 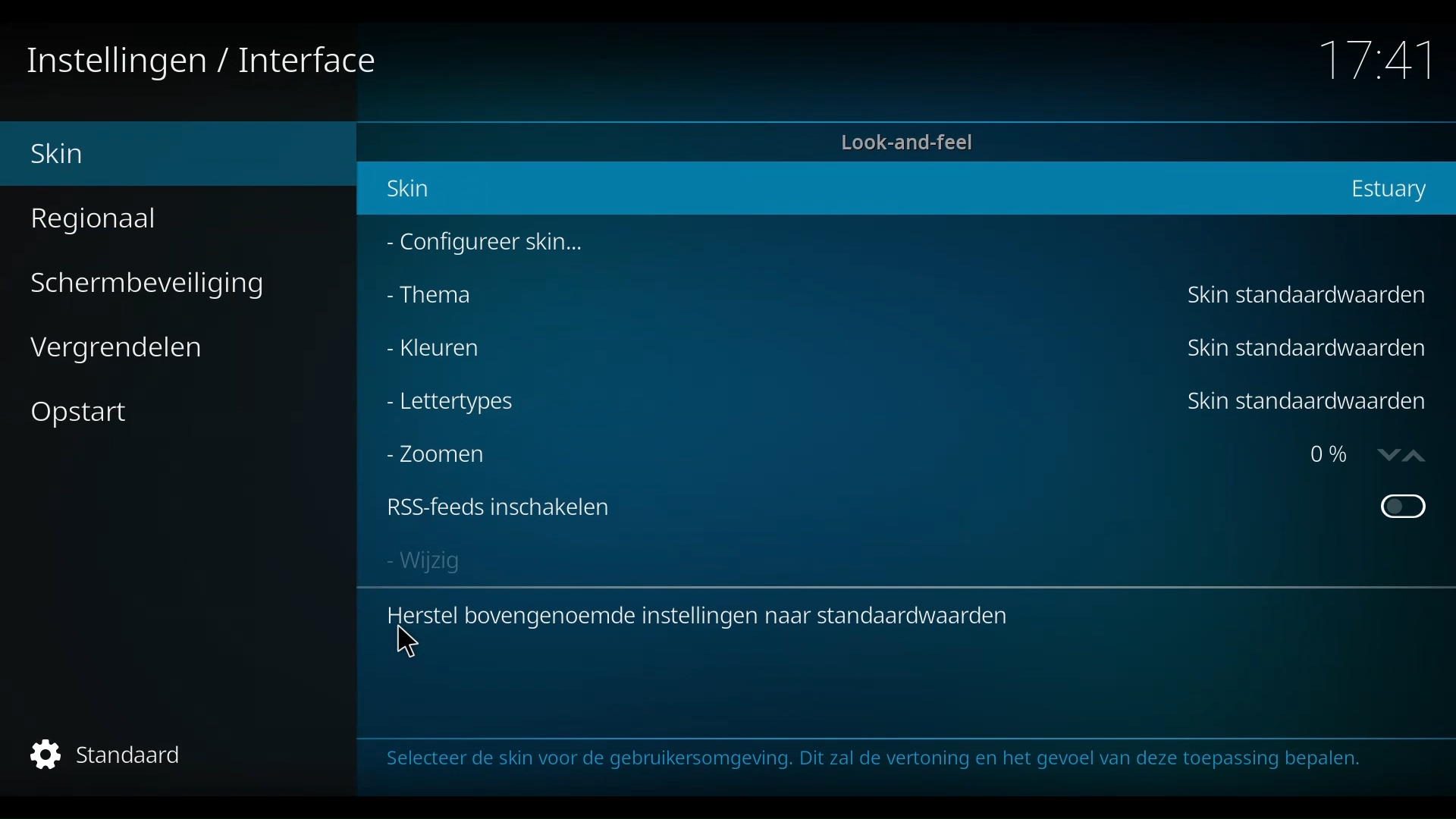 I want to click on cursor, so click(x=406, y=642).